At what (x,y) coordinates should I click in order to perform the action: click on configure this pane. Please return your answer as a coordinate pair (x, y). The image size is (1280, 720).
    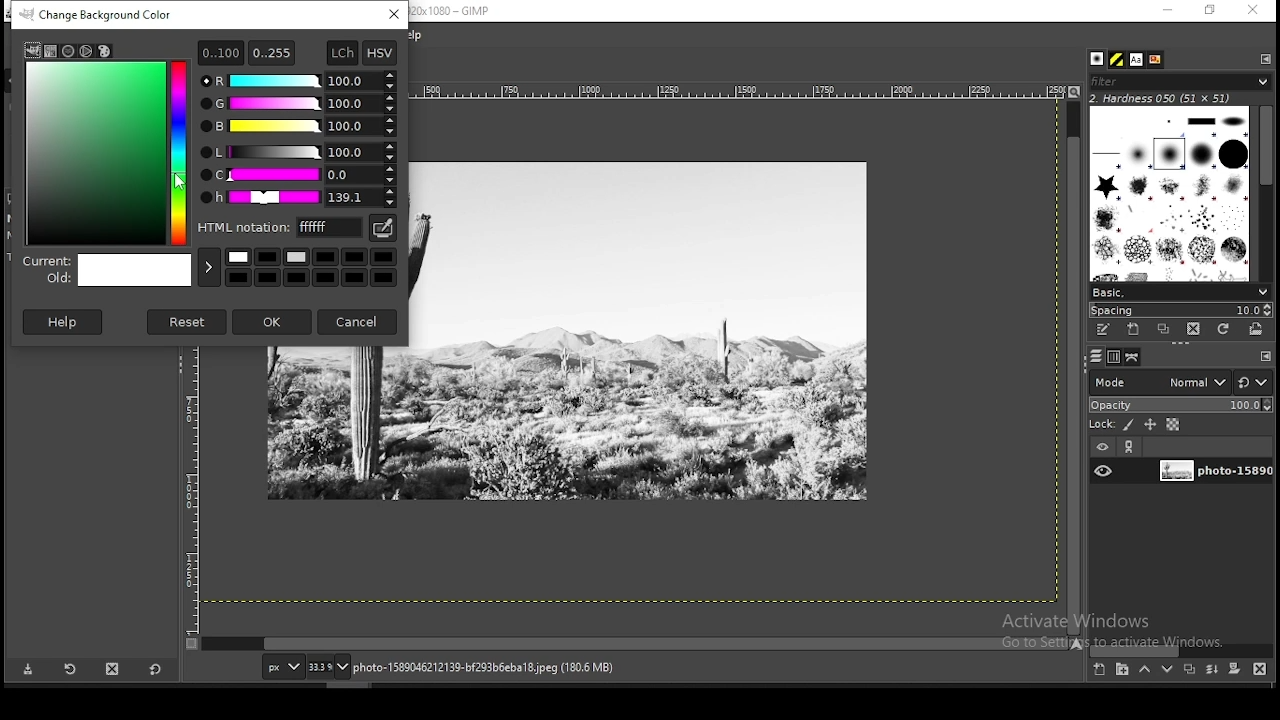
    Looking at the image, I should click on (1264, 356).